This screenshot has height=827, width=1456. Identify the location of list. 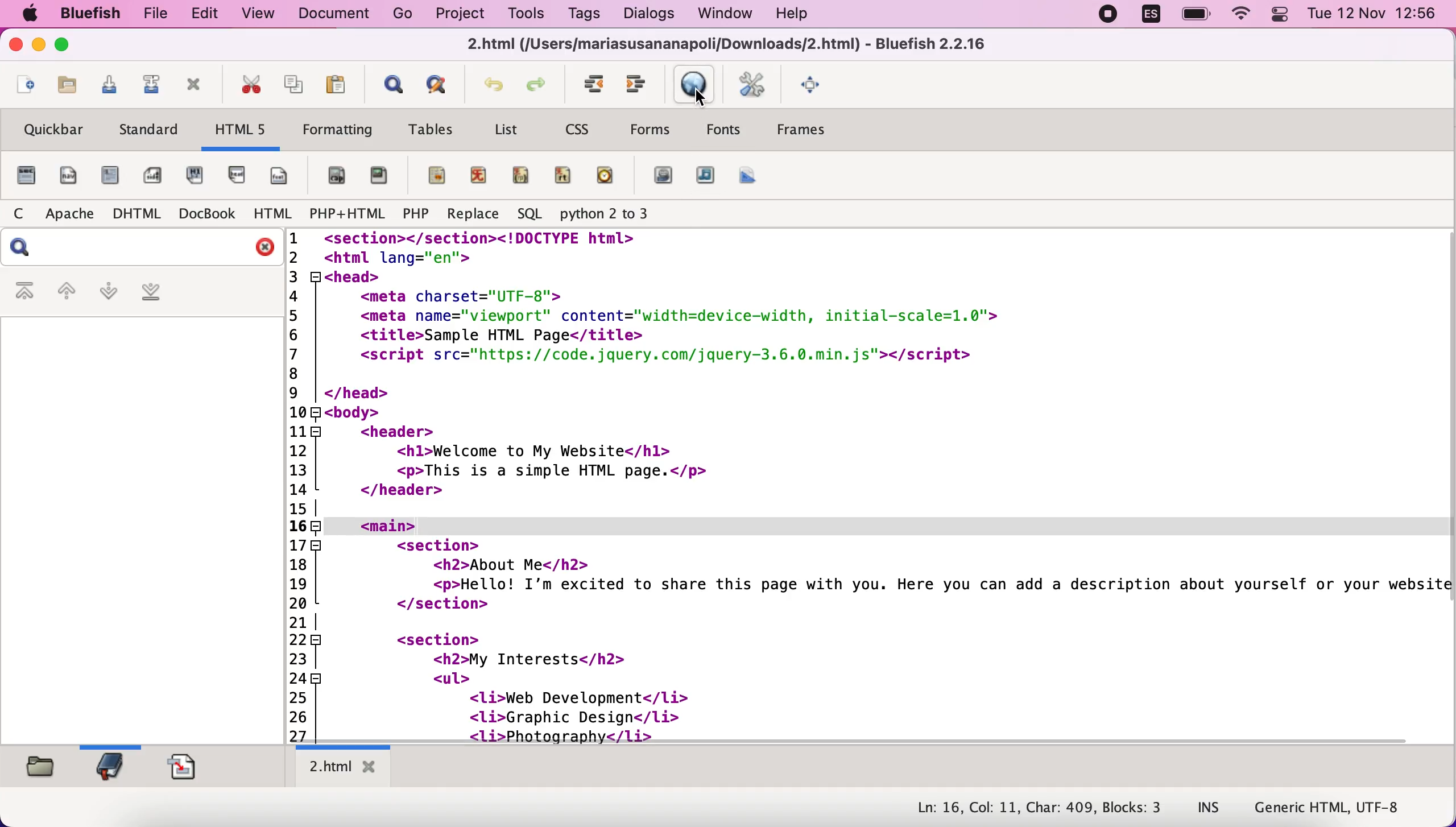
(504, 131).